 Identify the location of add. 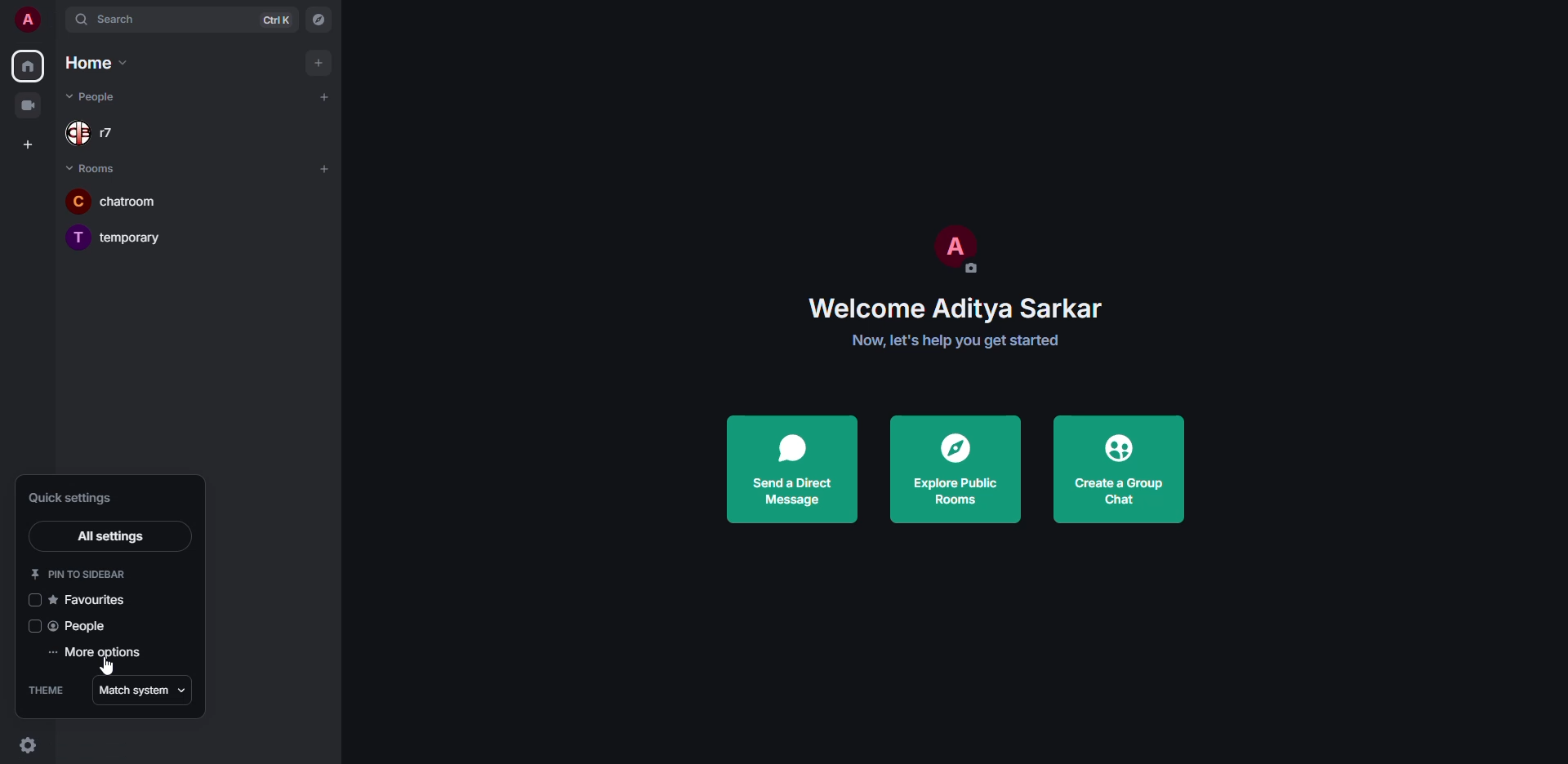
(324, 169).